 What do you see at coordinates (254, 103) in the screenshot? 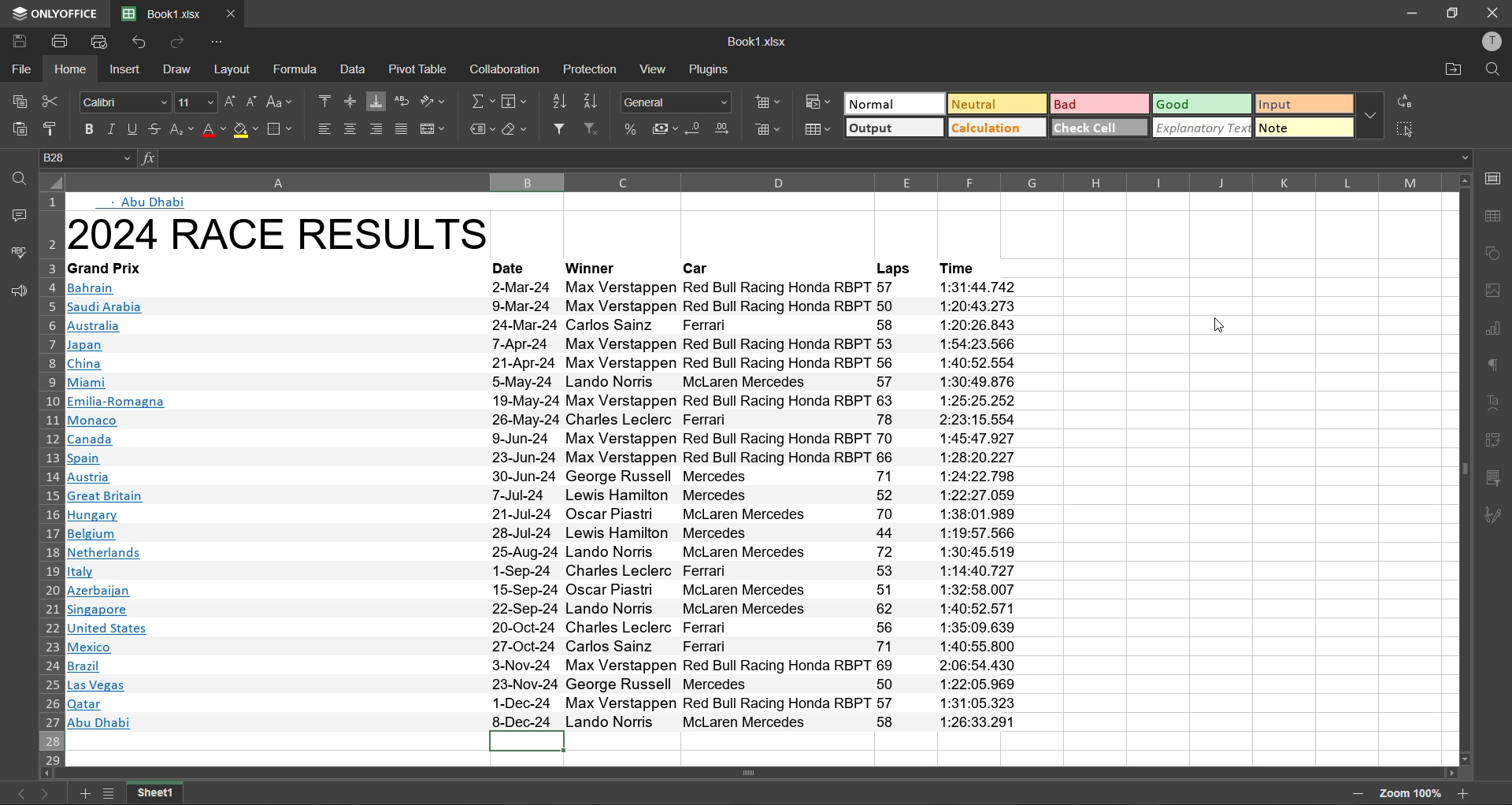
I see `decrement size` at bounding box center [254, 103].